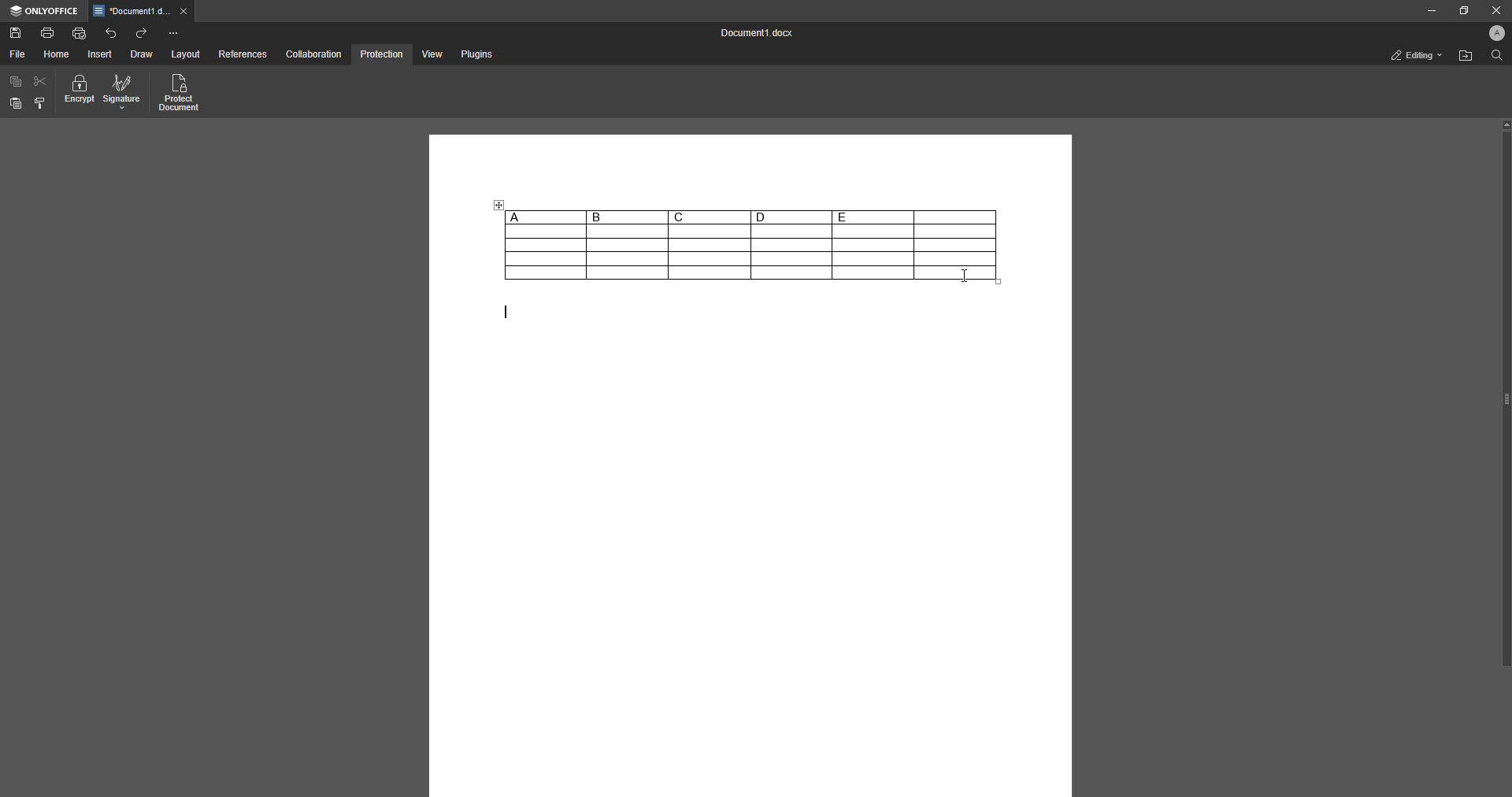 The width and height of the screenshot is (1512, 797). I want to click on Copy, so click(16, 82).